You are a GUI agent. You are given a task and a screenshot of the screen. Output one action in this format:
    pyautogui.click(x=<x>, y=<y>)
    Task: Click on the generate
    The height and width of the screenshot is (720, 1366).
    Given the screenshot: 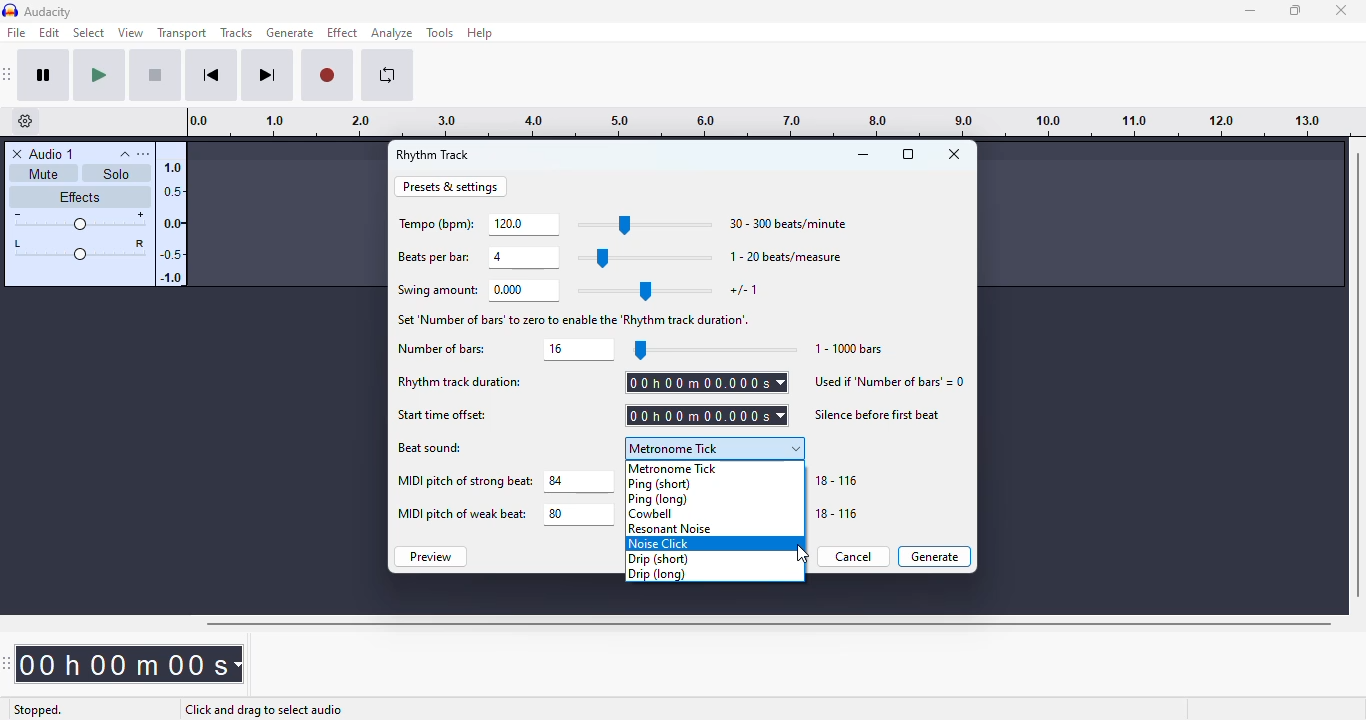 What is the action you would take?
    pyautogui.click(x=934, y=556)
    